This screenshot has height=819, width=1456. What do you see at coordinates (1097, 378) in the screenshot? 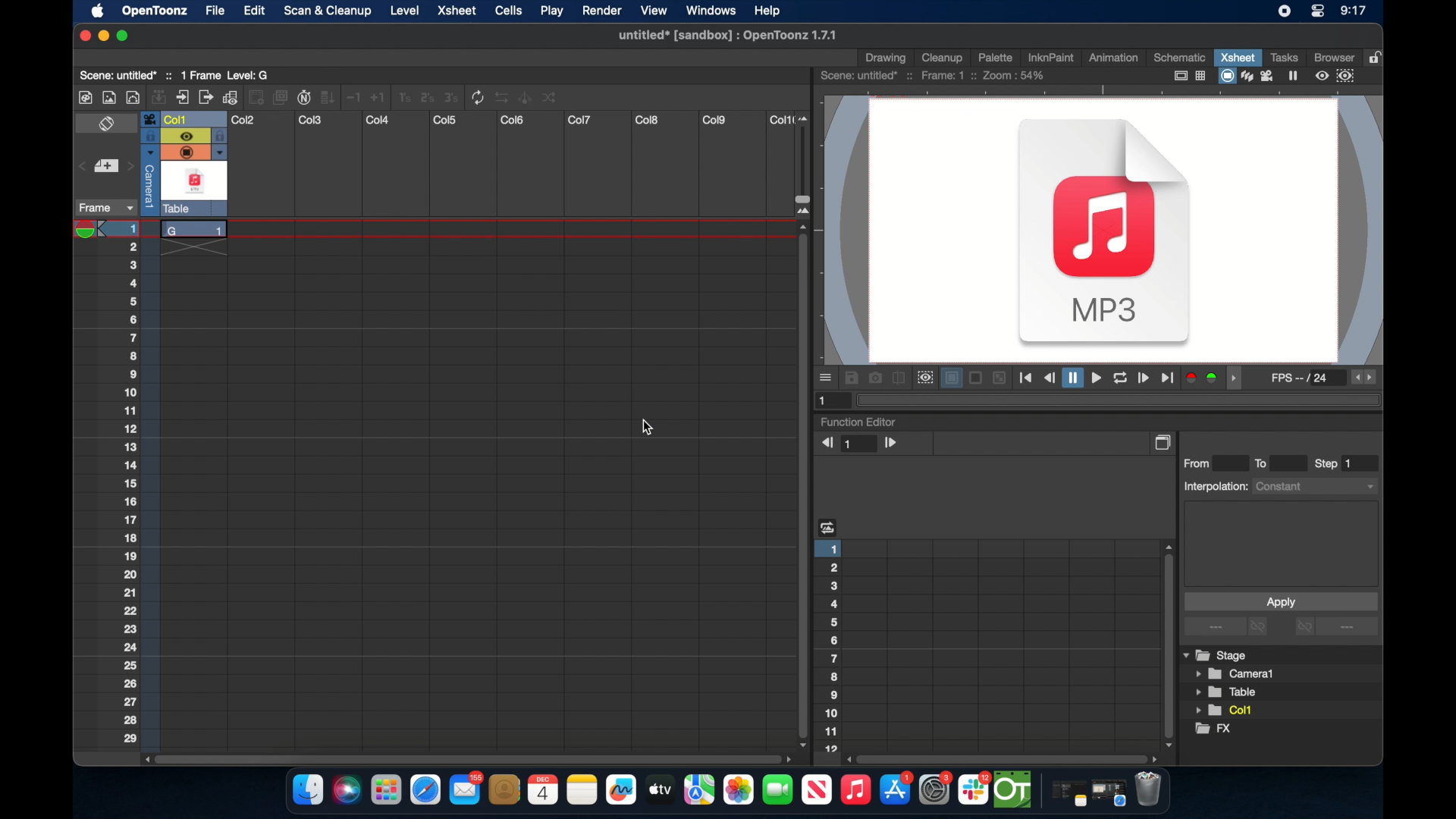
I see `playback controls` at bounding box center [1097, 378].